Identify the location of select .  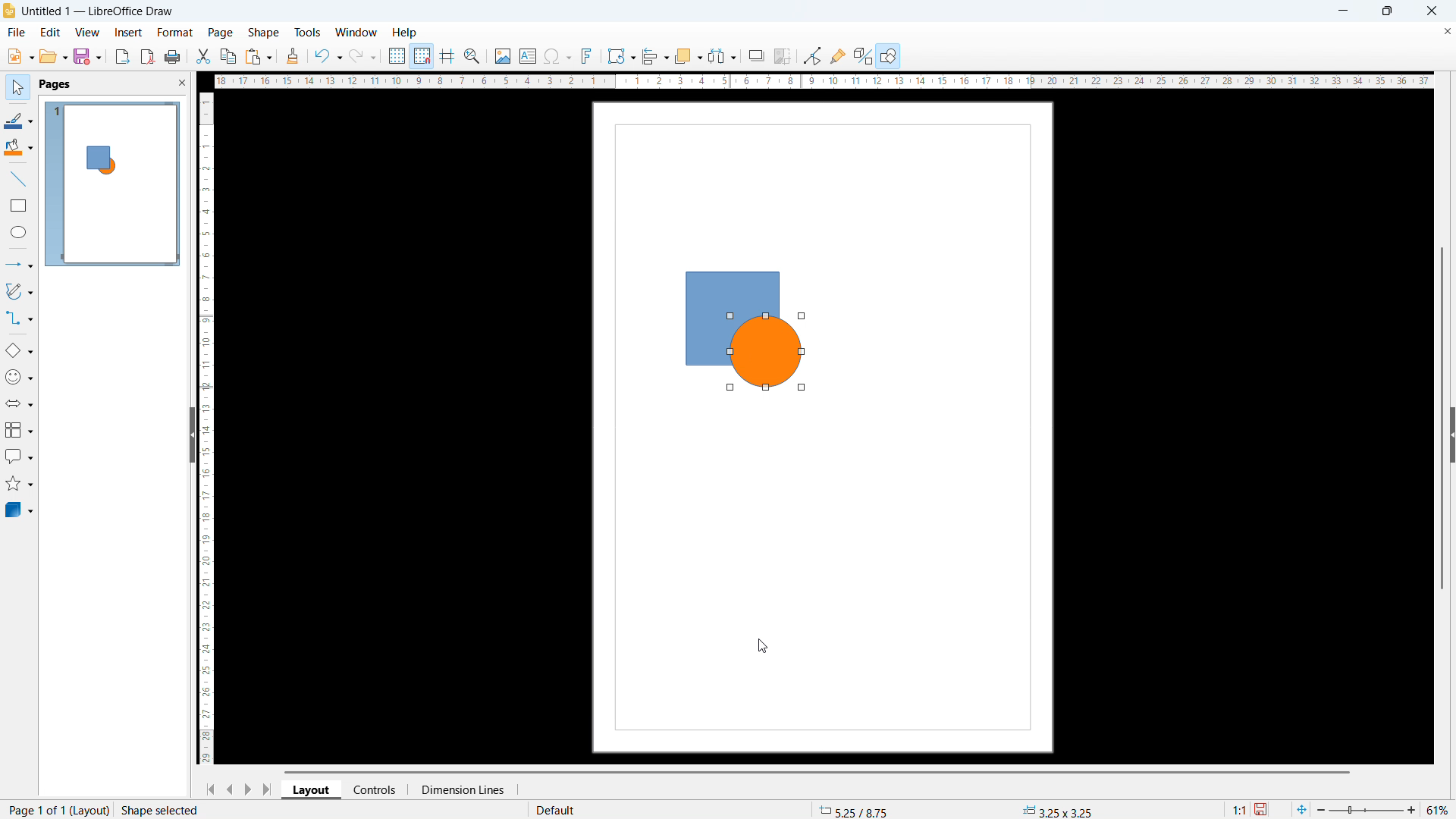
(19, 87).